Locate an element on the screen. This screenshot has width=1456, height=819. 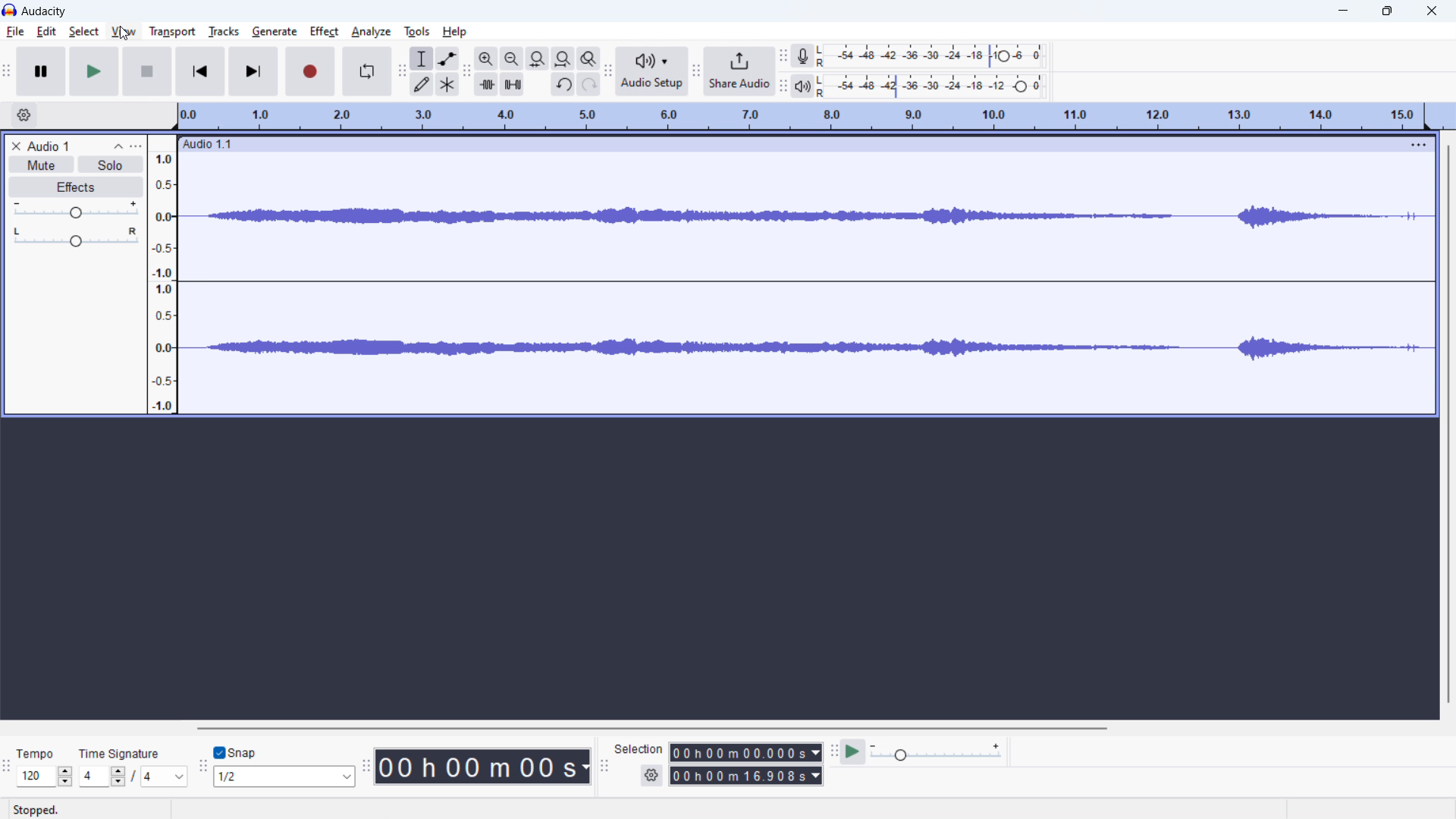
tools toolbar is located at coordinates (402, 71).